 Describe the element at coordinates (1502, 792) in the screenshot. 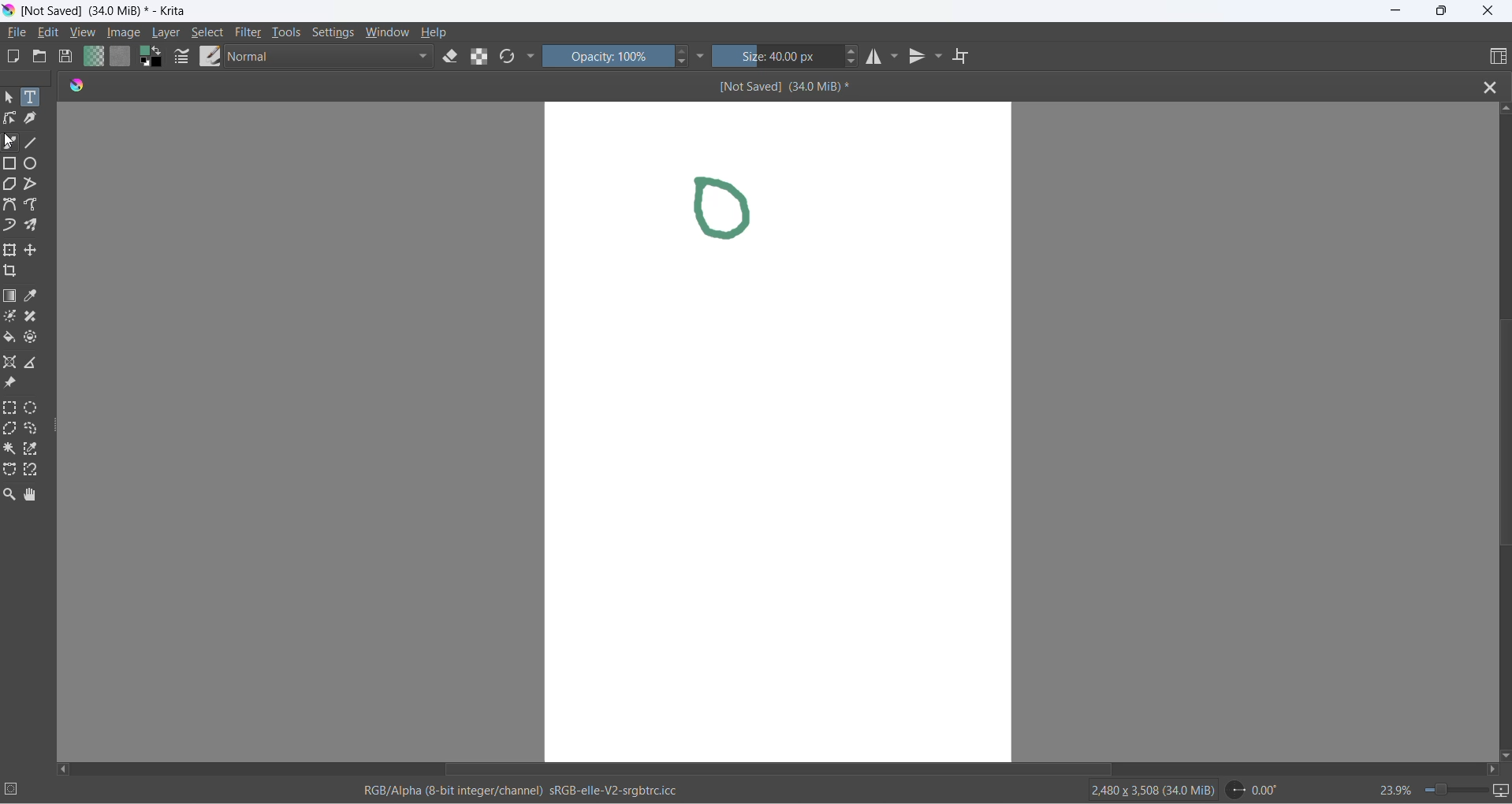

I see `slideshow` at that location.